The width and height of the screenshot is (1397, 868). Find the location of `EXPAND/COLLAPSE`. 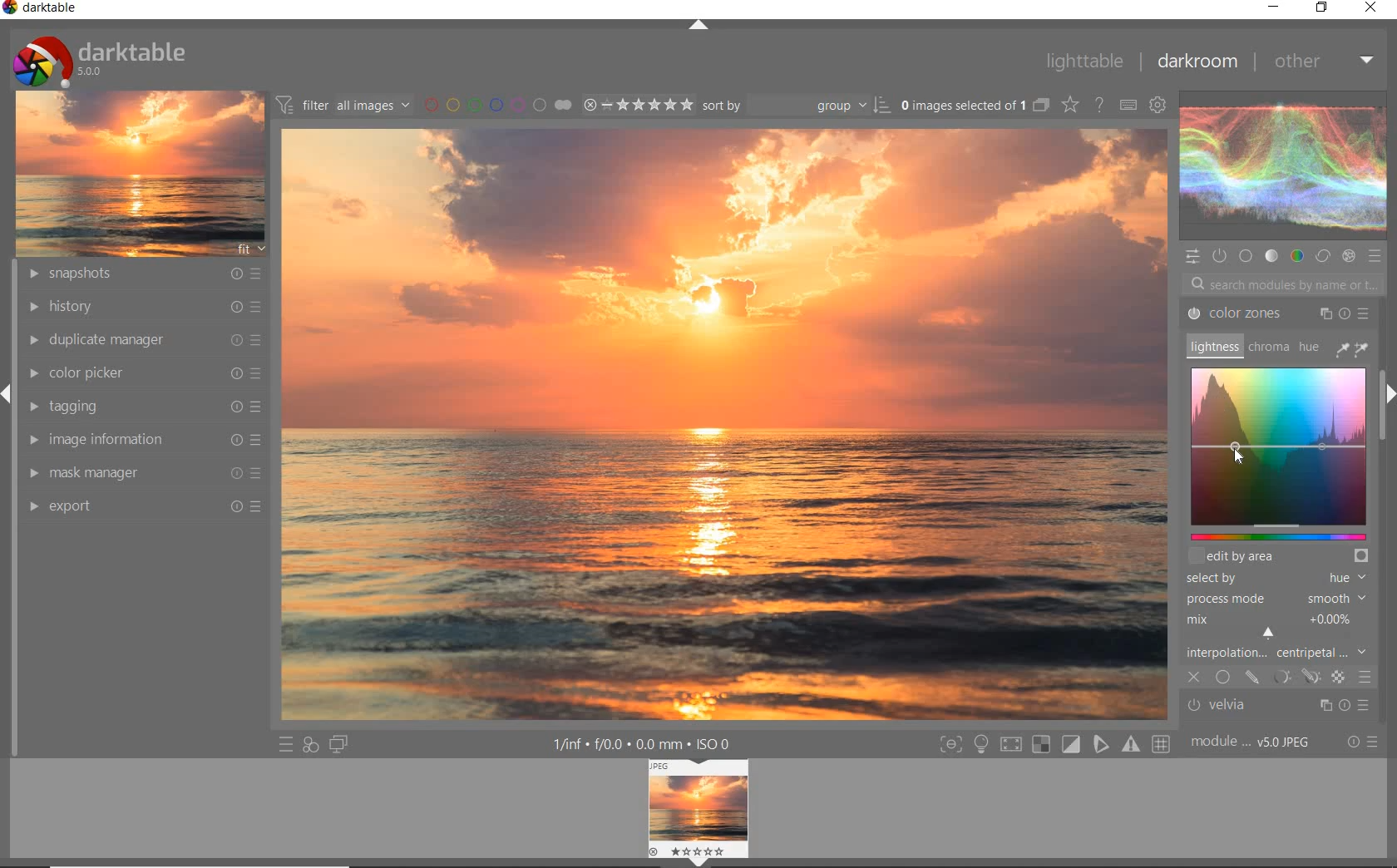

EXPAND/COLLAPSE is located at coordinates (698, 26).